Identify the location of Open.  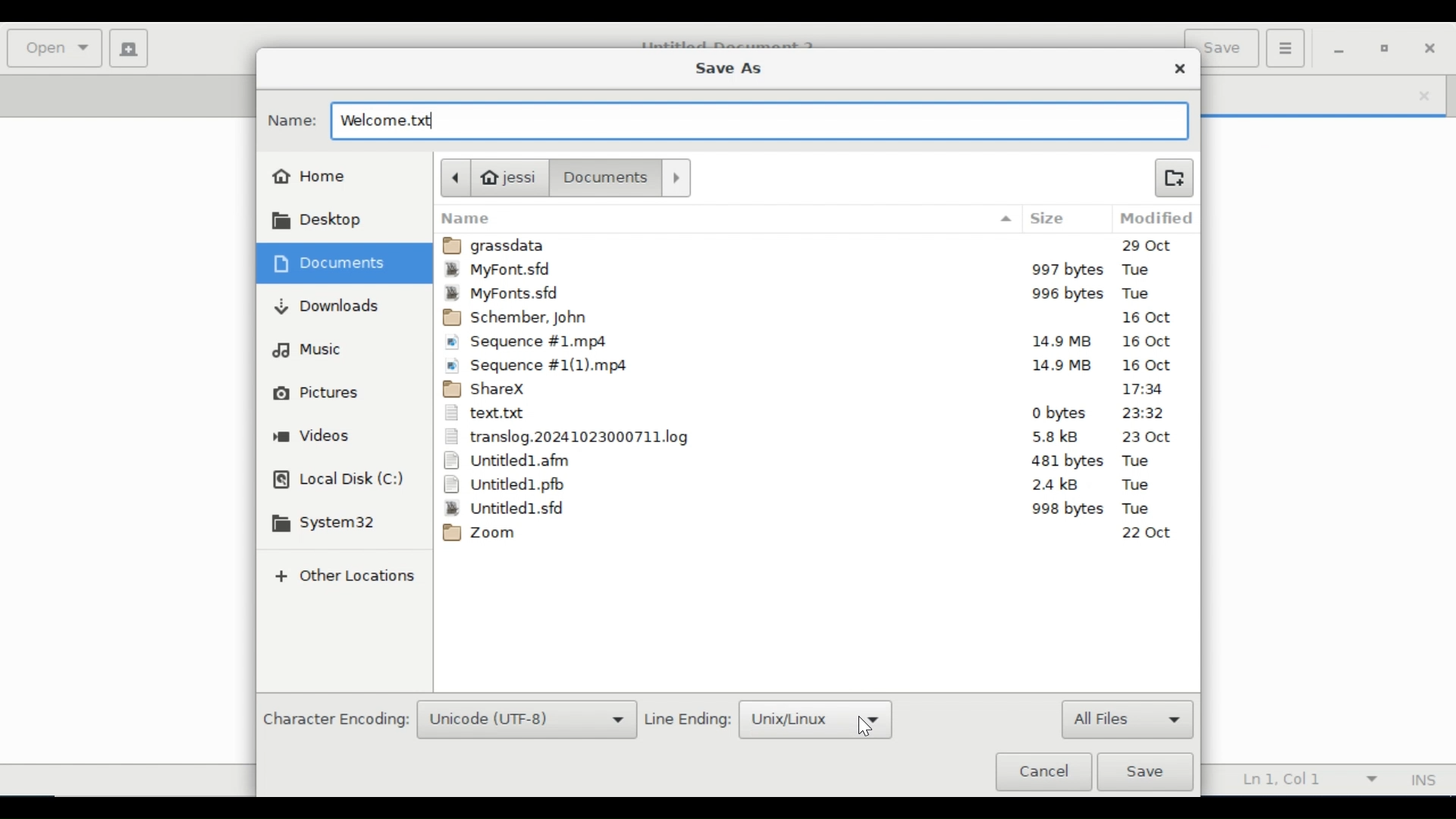
(55, 49).